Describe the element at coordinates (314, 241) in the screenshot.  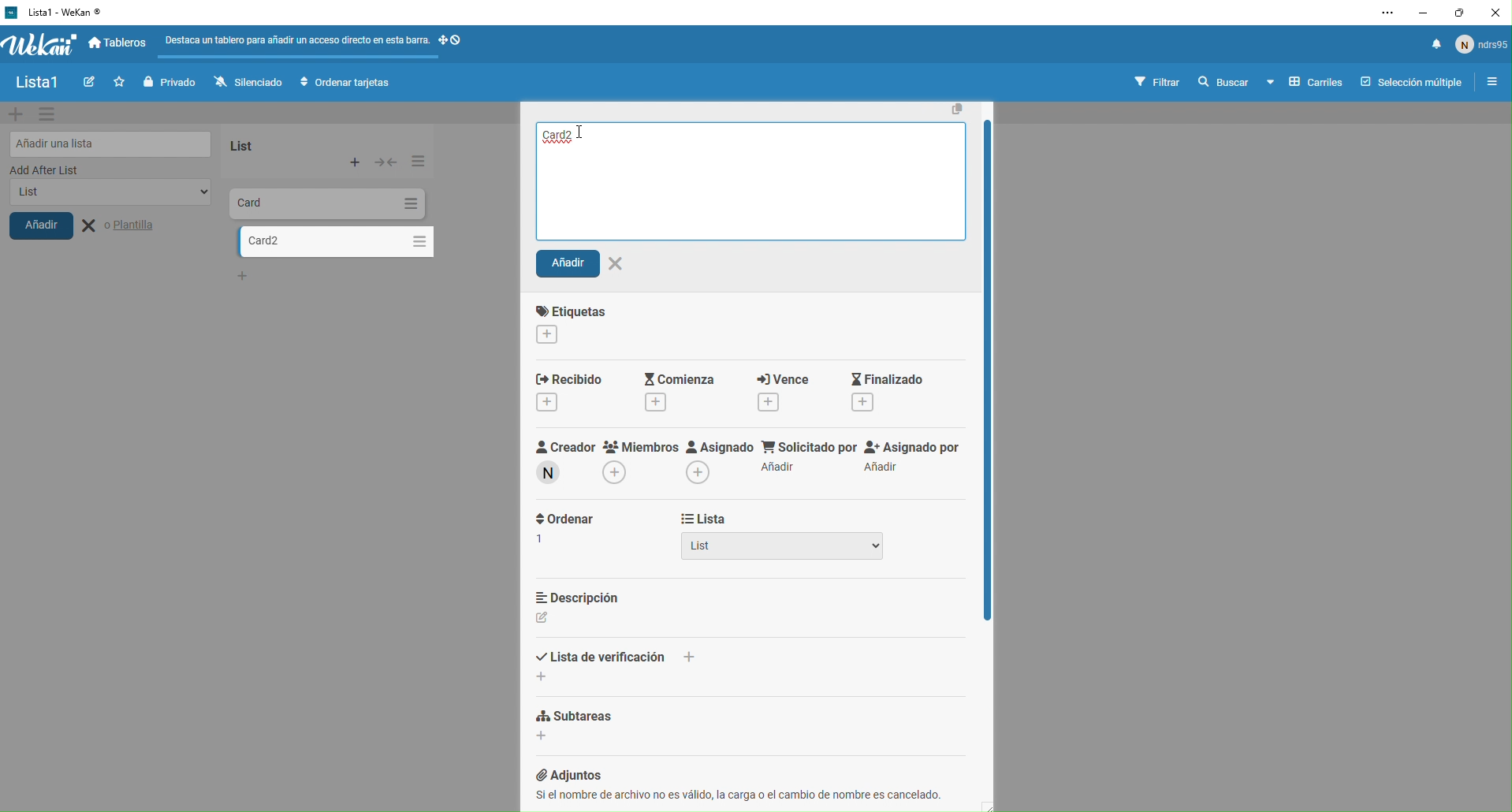
I see `card 2` at that location.